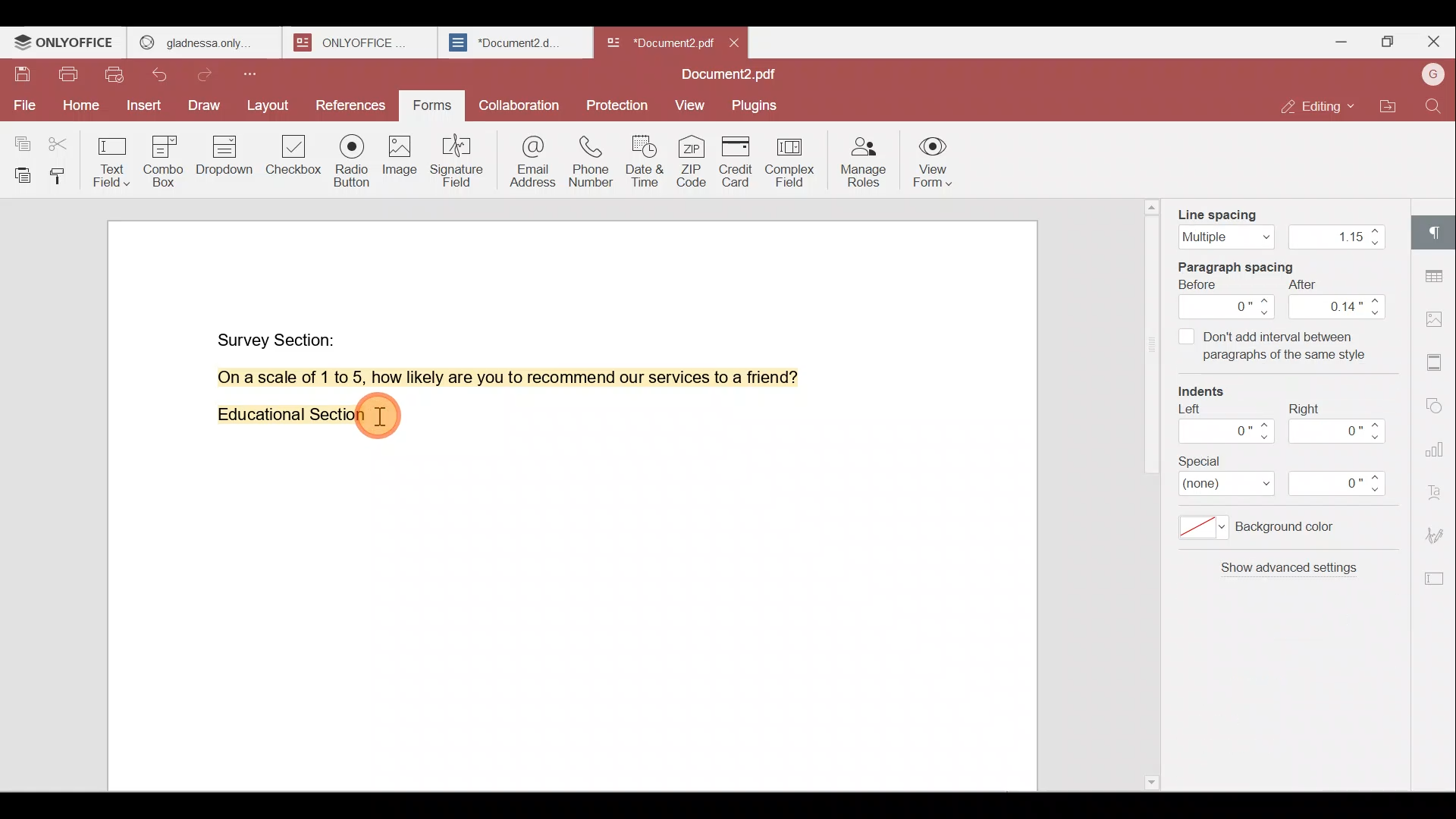 The height and width of the screenshot is (819, 1456). Describe the element at coordinates (169, 158) in the screenshot. I see `Combo box` at that location.